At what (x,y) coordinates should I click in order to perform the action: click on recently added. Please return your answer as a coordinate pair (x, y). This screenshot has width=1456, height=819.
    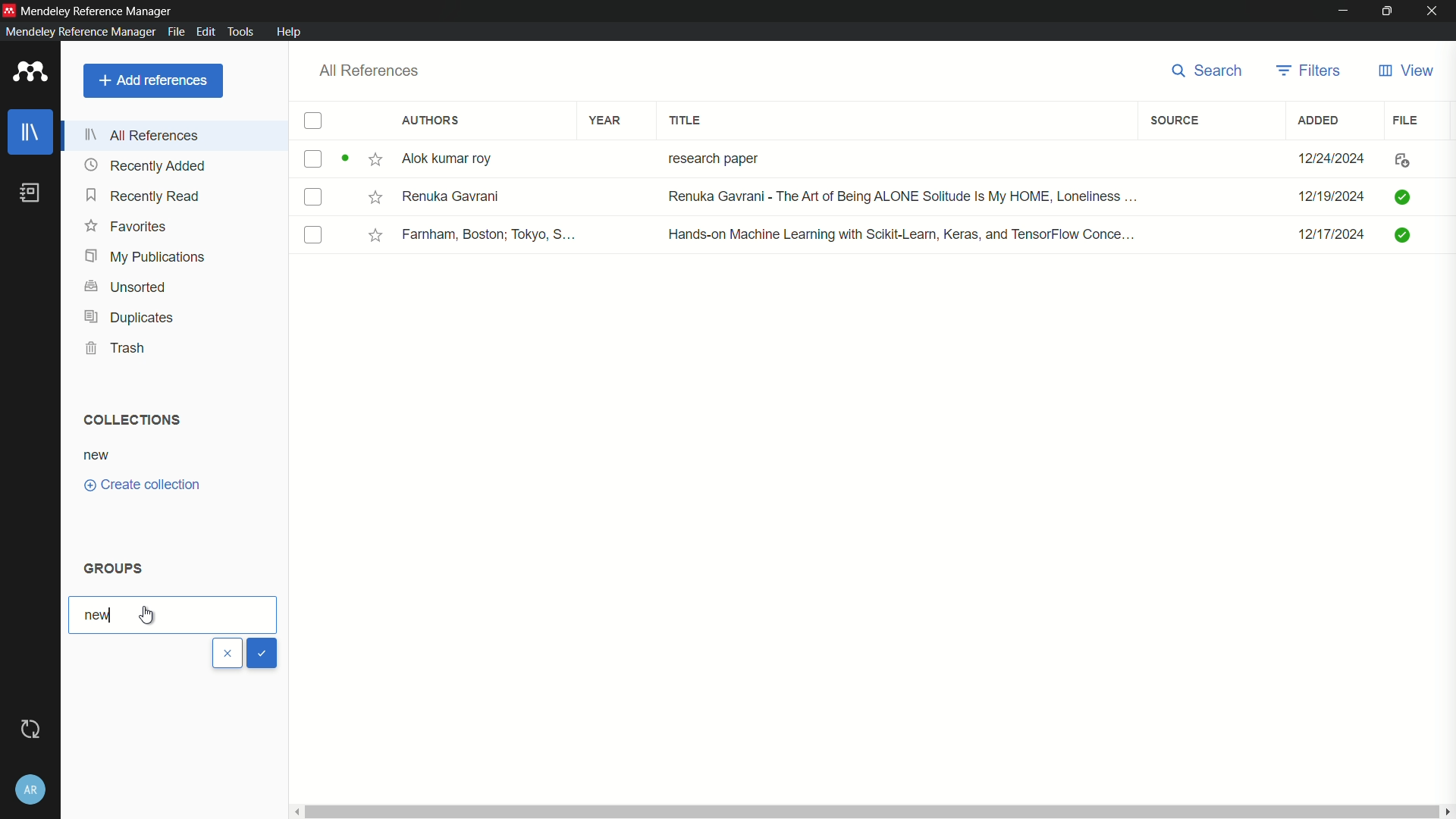
    Looking at the image, I should click on (146, 165).